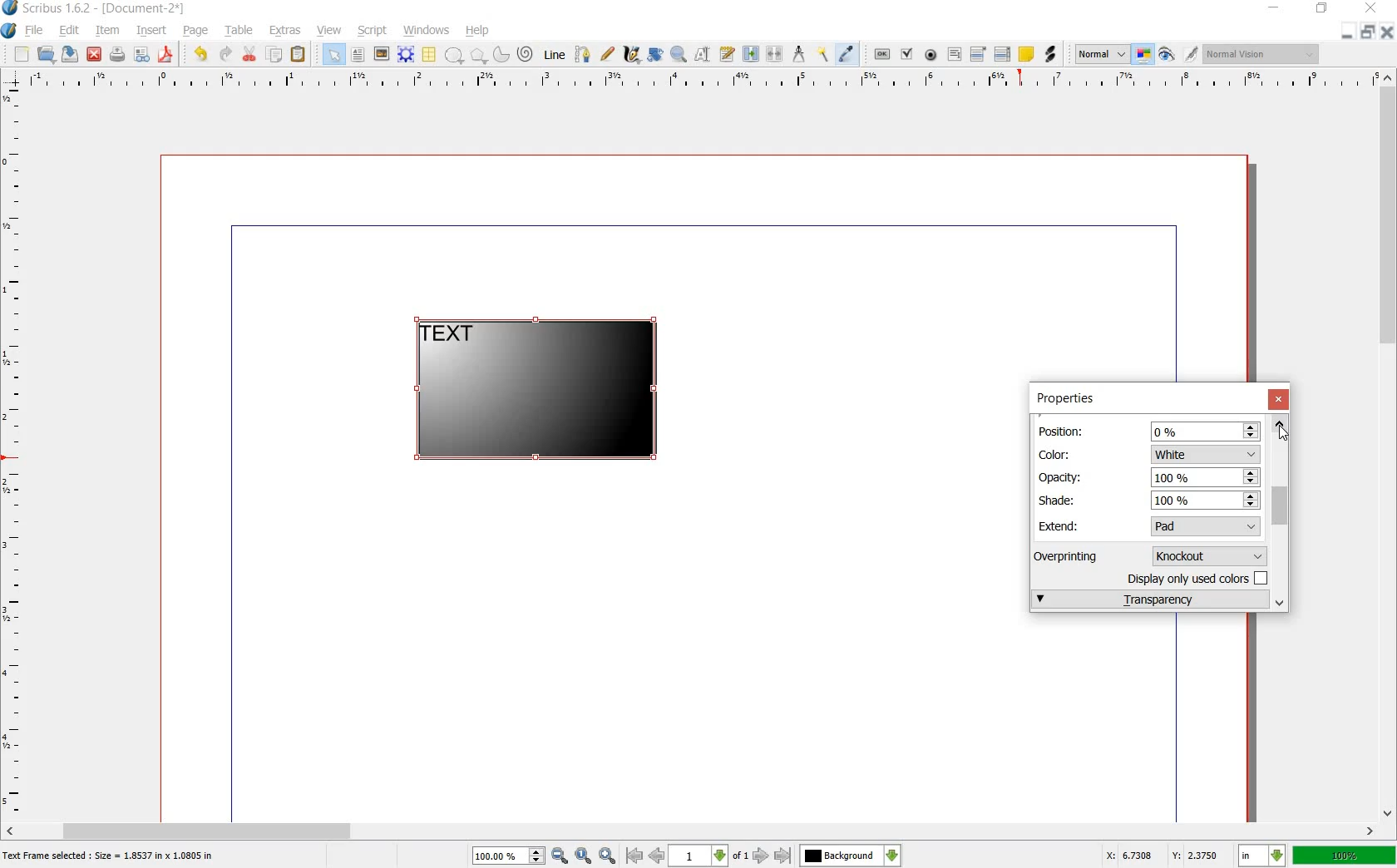 The image size is (1397, 868). I want to click on edit text with story editor, so click(726, 54).